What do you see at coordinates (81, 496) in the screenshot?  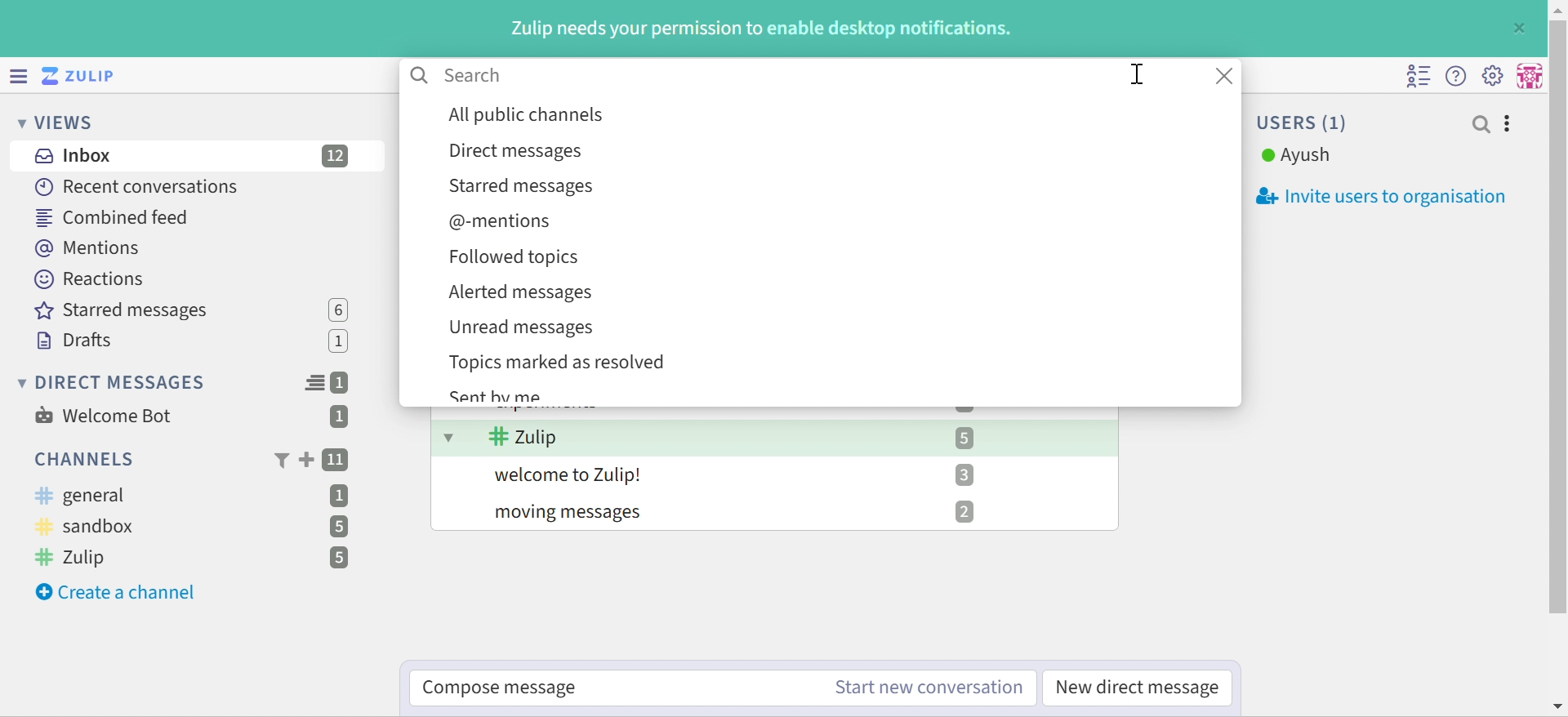 I see `#general` at bounding box center [81, 496].